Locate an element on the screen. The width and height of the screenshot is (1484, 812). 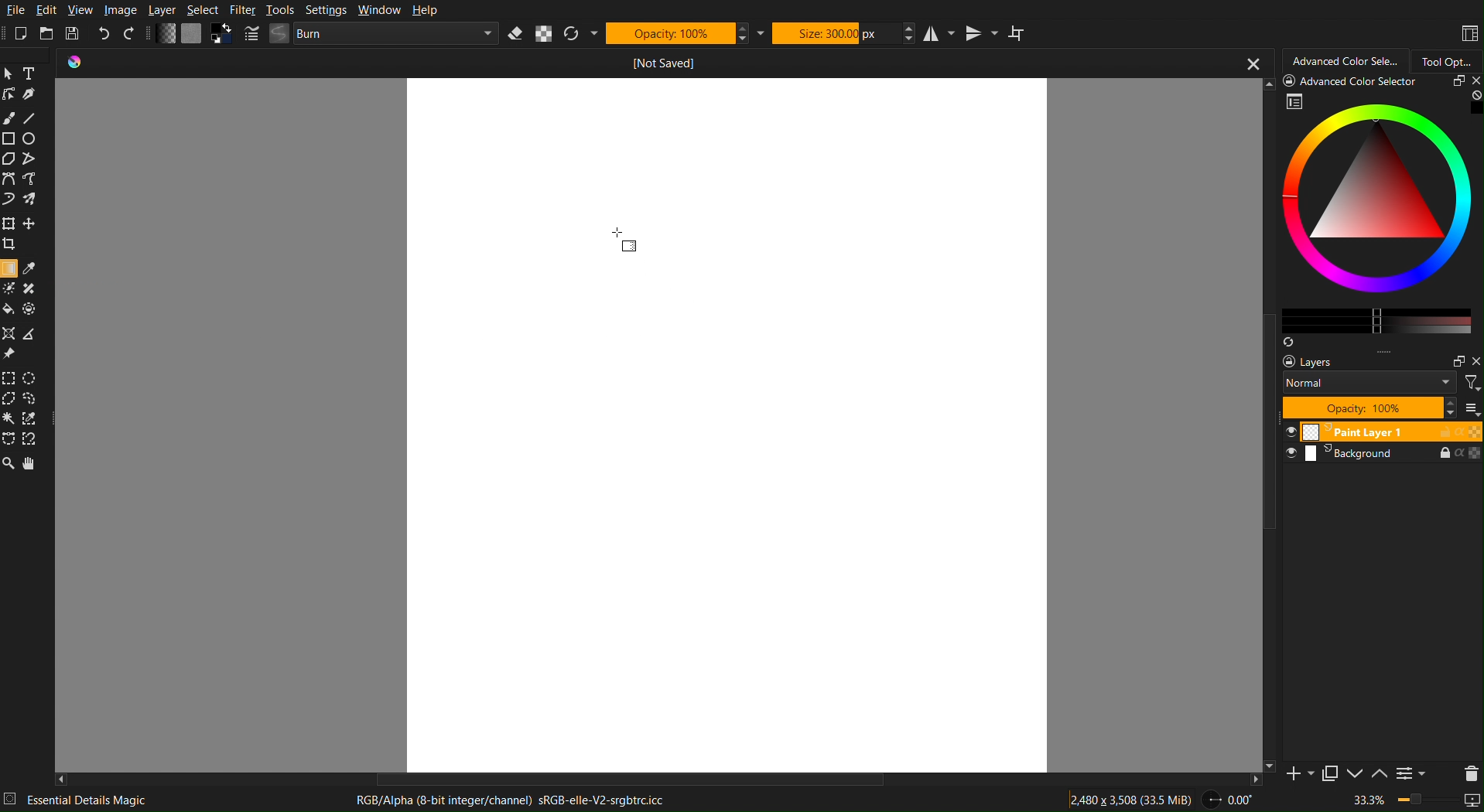
Polygon Tools is located at coordinates (22, 159).